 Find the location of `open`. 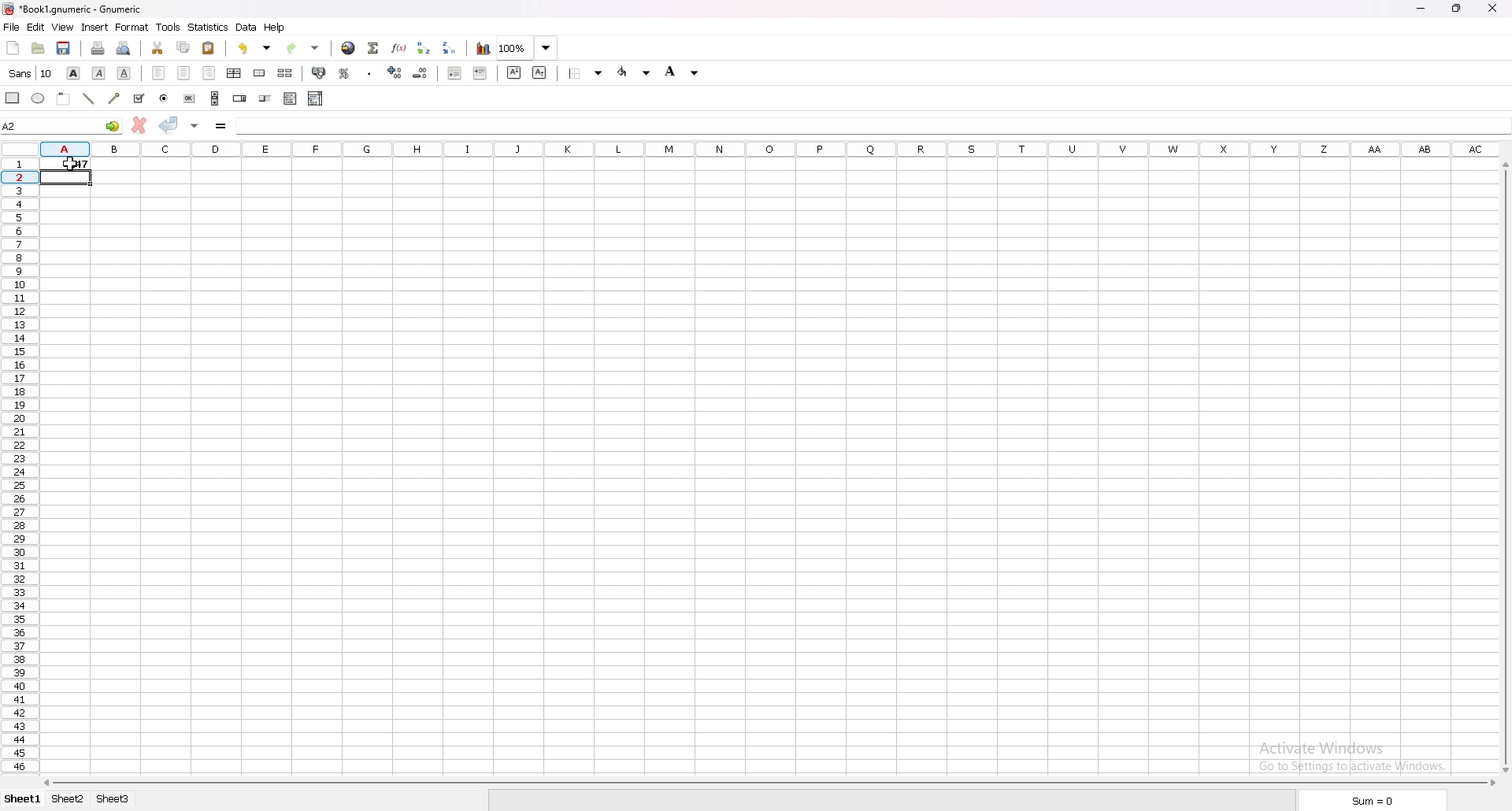

open is located at coordinates (39, 48).